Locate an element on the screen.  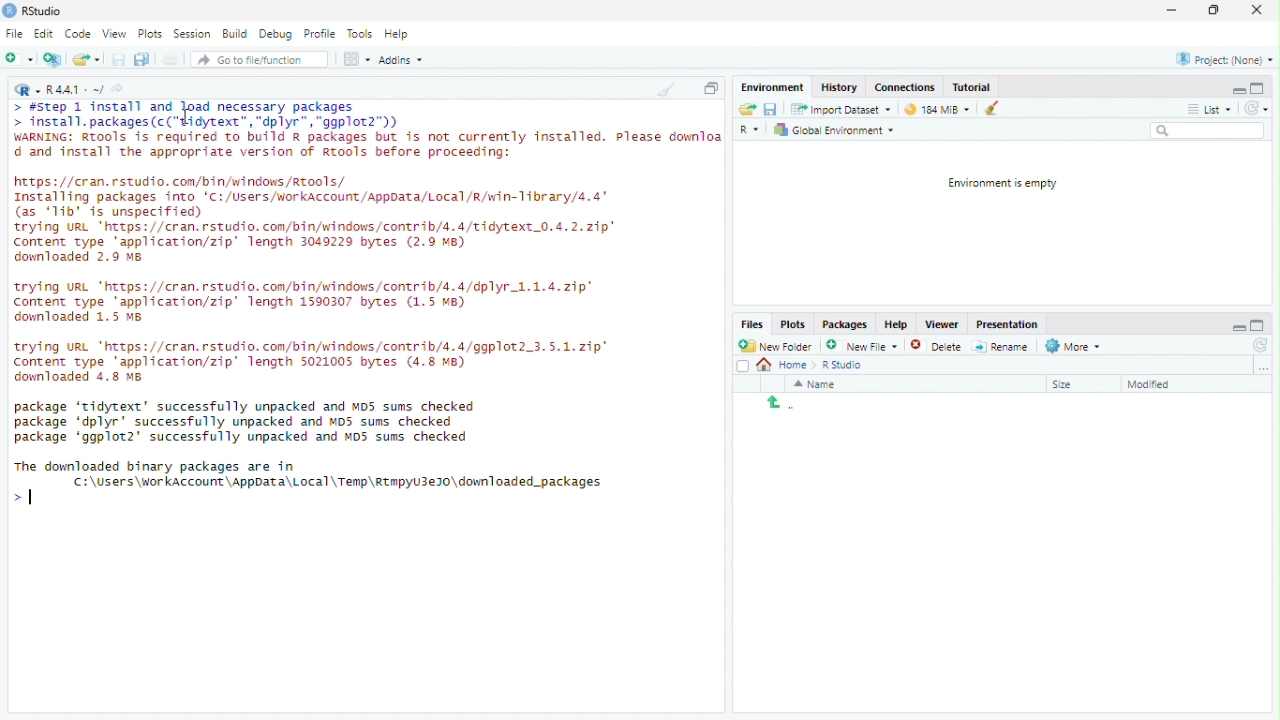
Save all tabs is located at coordinates (141, 58).